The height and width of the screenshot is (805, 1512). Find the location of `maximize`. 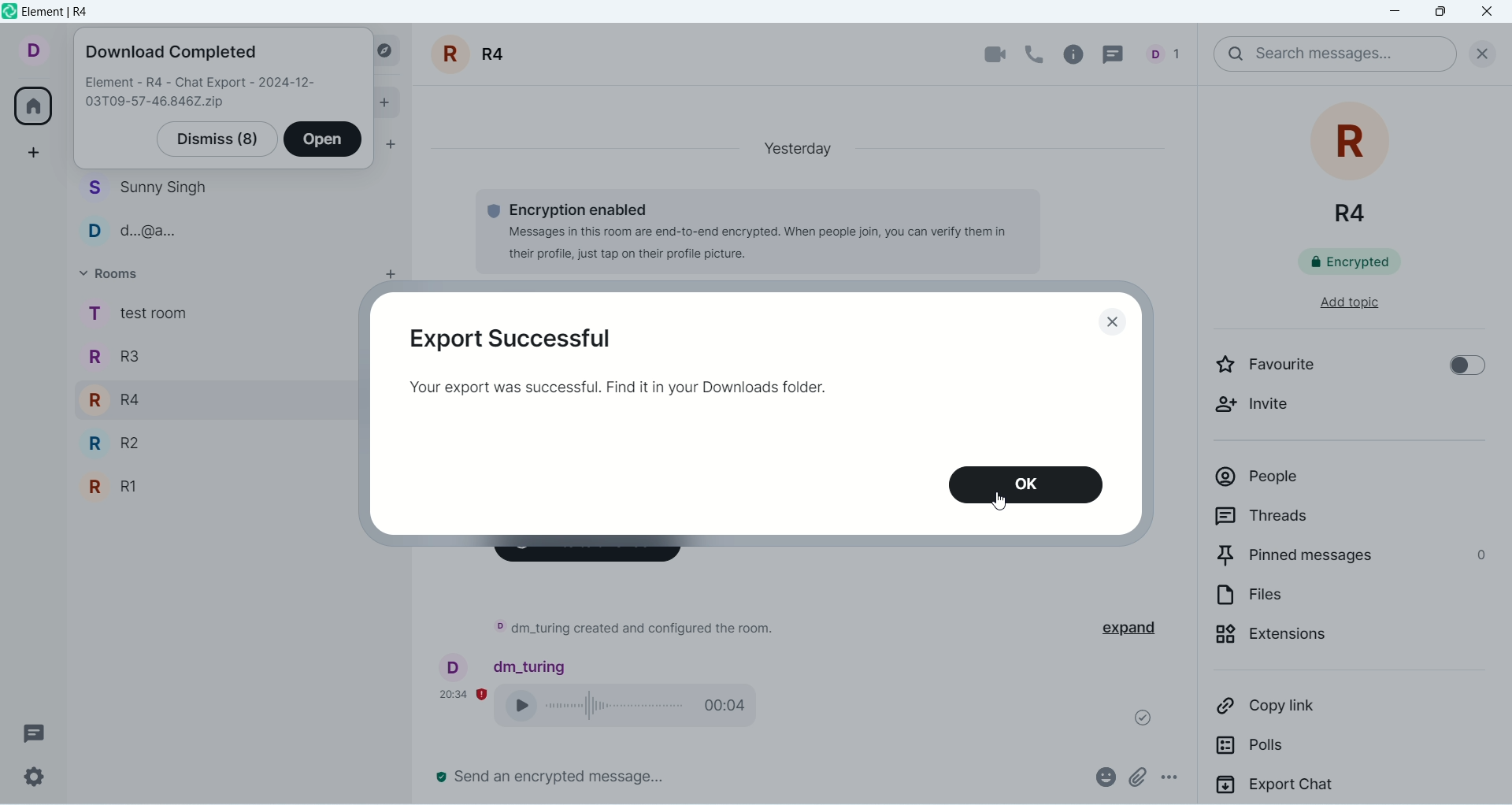

maximize is located at coordinates (1439, 14).